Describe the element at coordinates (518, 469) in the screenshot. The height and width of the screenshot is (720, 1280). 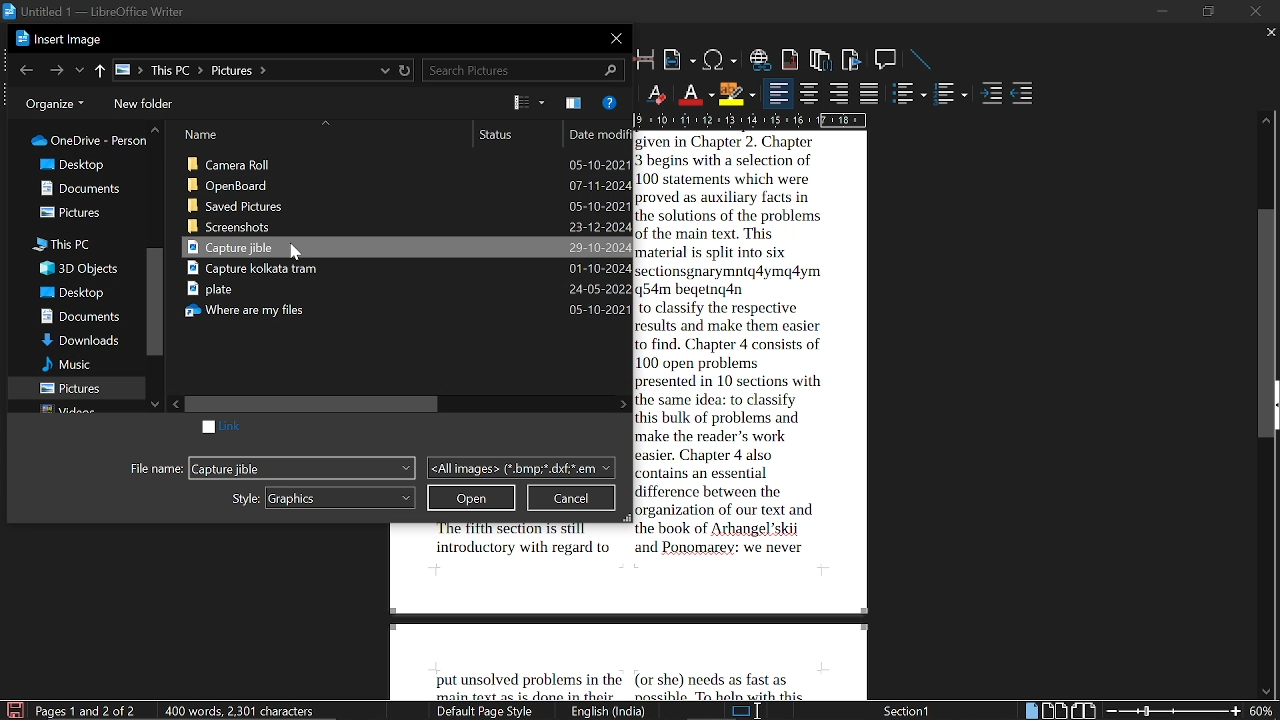
I see `file type` at that location.